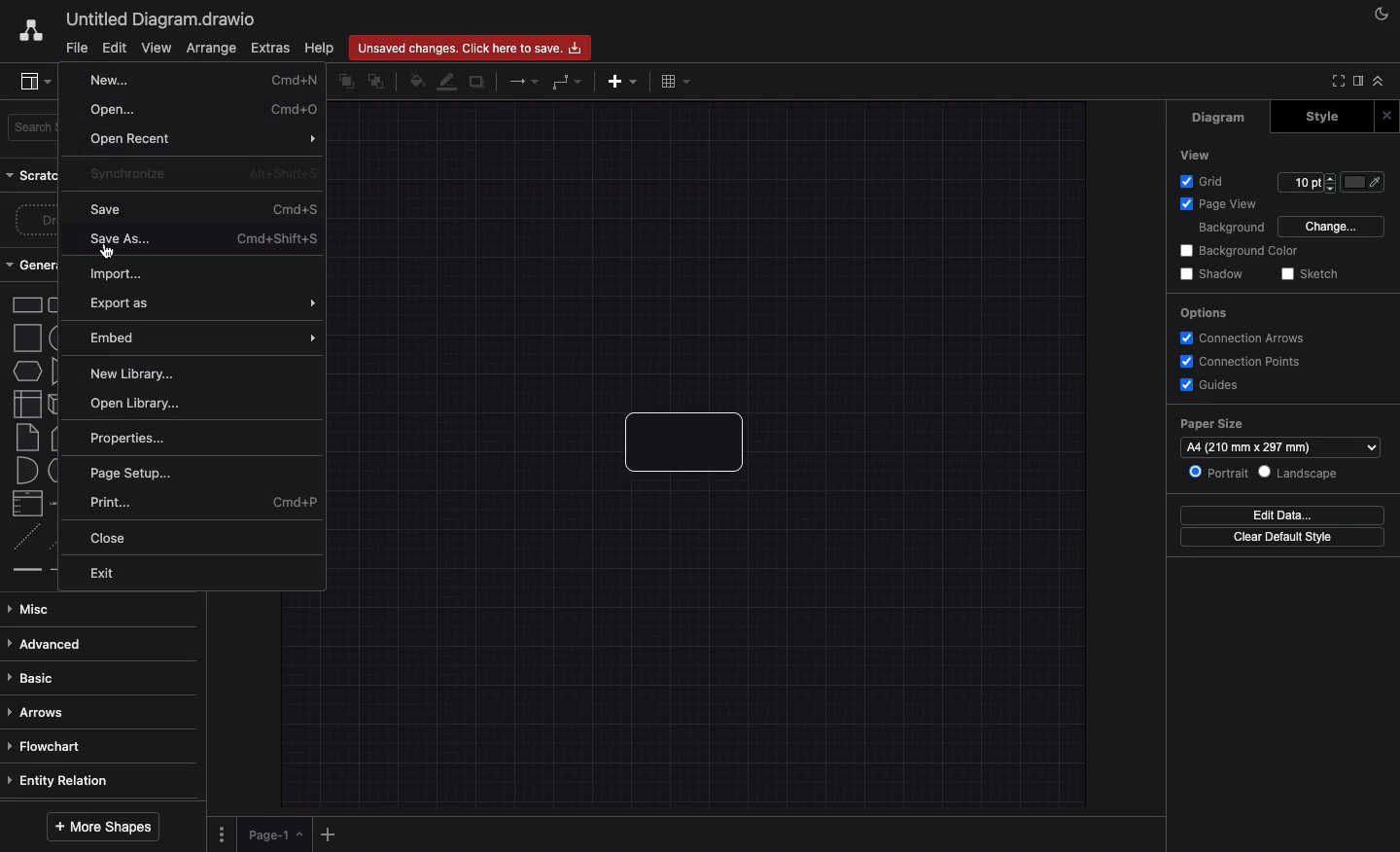  I want to click on Size 10pt, so click(1307, 183).